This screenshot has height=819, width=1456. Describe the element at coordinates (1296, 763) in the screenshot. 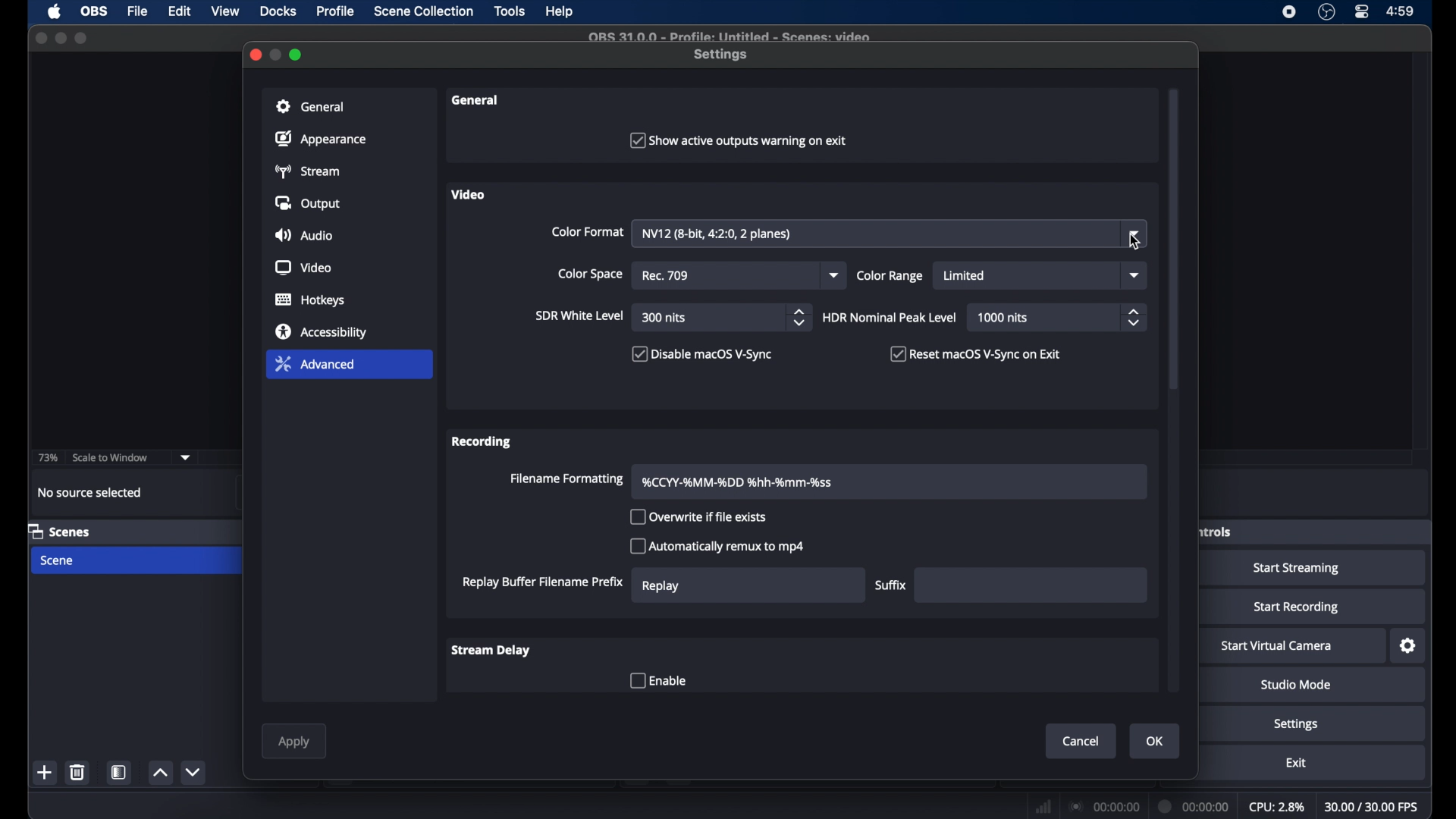

I see `exit` at that location.